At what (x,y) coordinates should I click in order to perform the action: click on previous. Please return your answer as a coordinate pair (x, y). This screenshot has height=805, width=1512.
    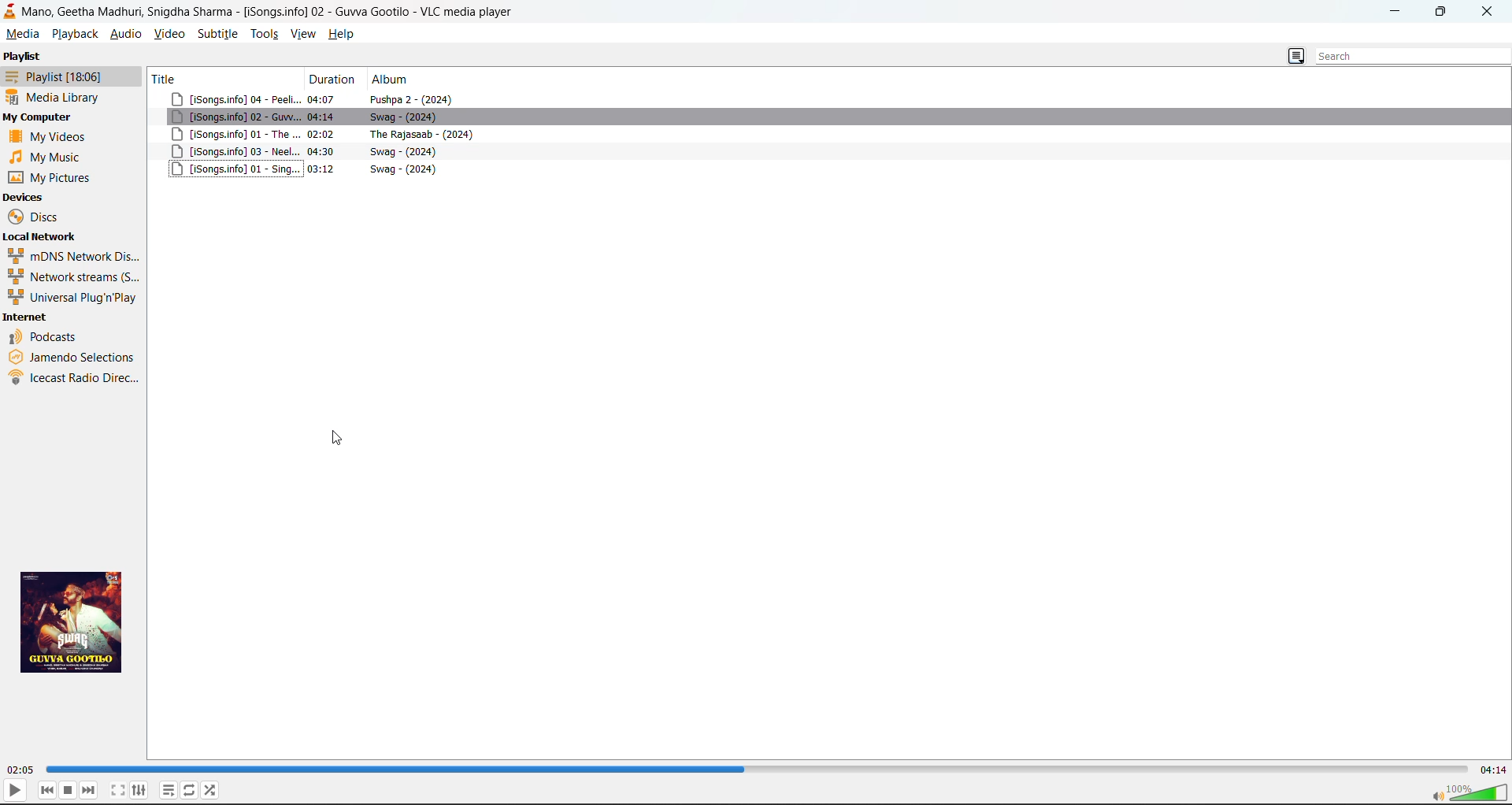
    Looking at the image, I should click on (47, 791).